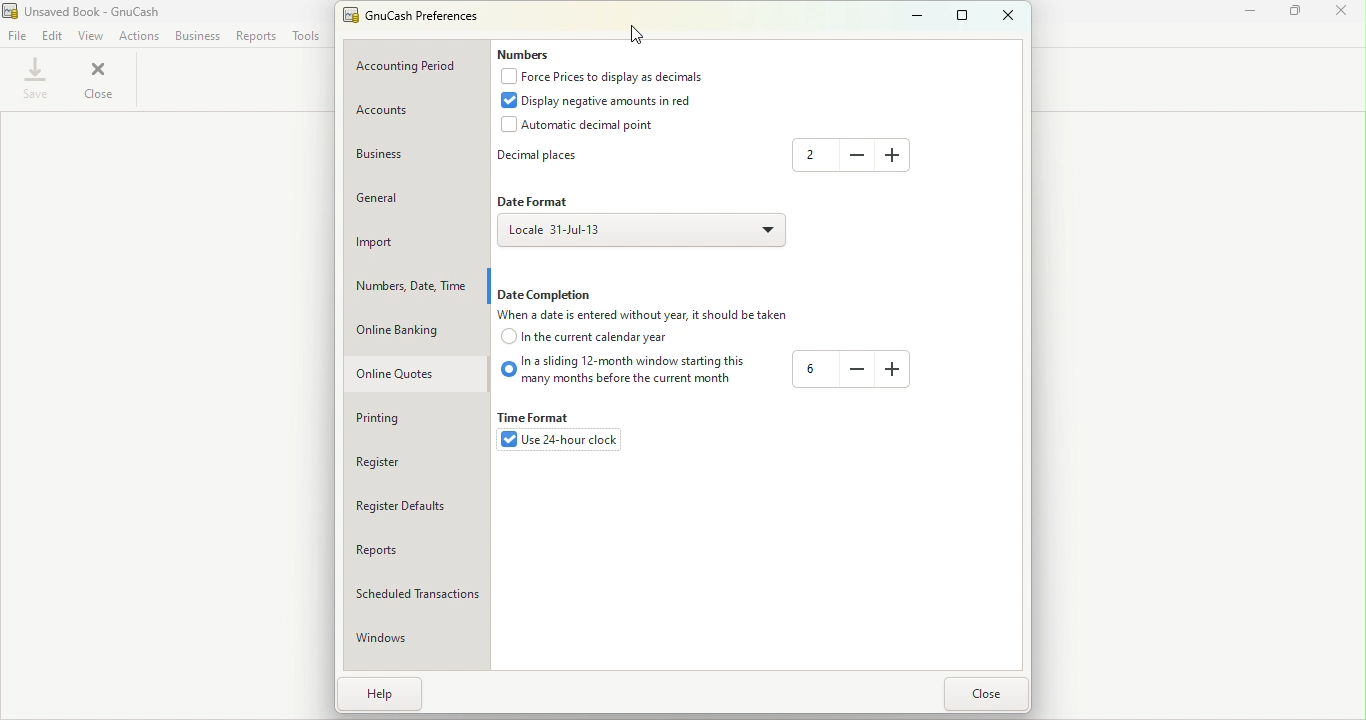 The width and height of the screenshot is (1366, 720). I want to click on Date format, so click(534, 200).